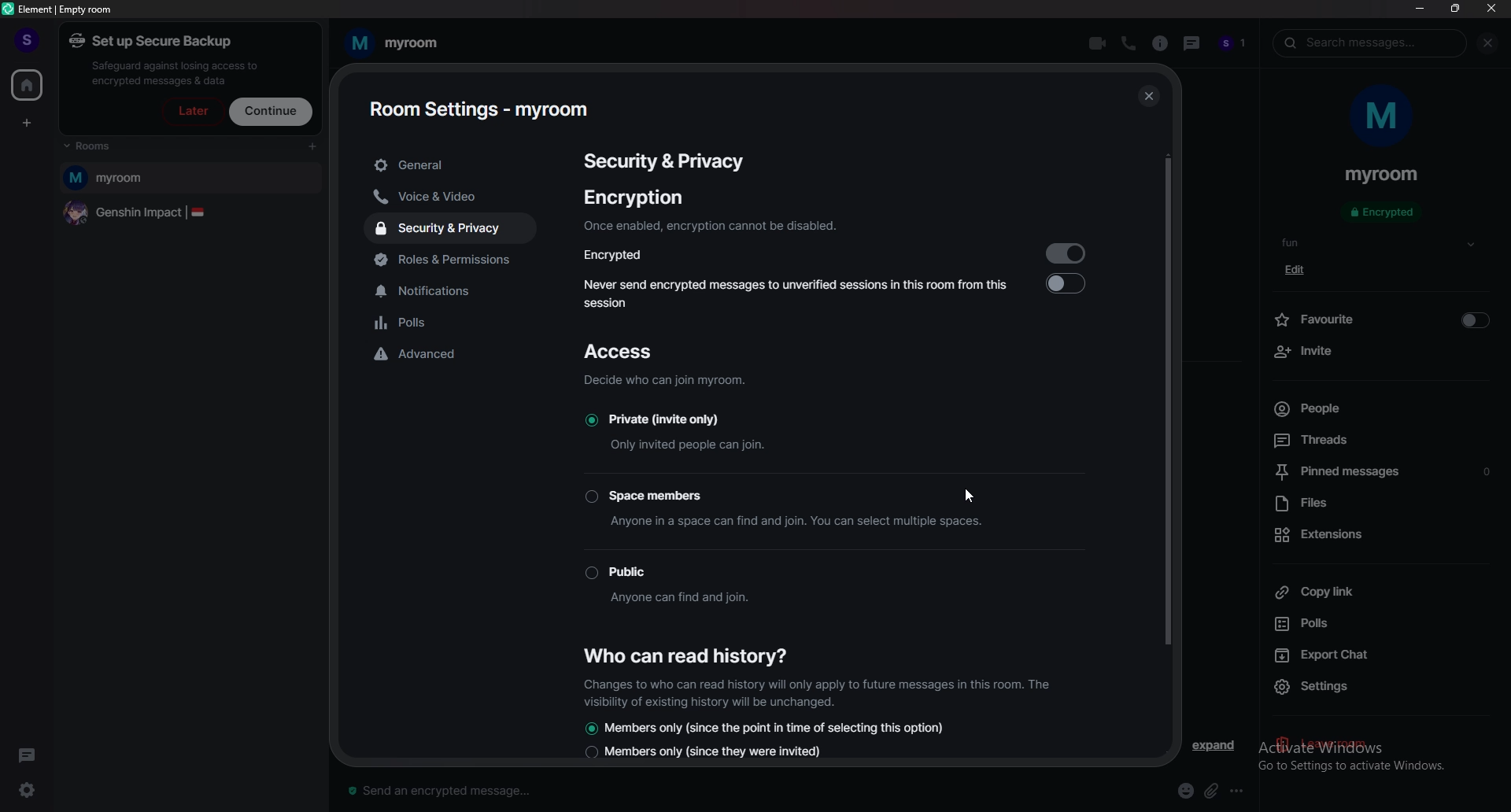 The image size is (1511, 812). I want to click on attach, so click(1211, 791).